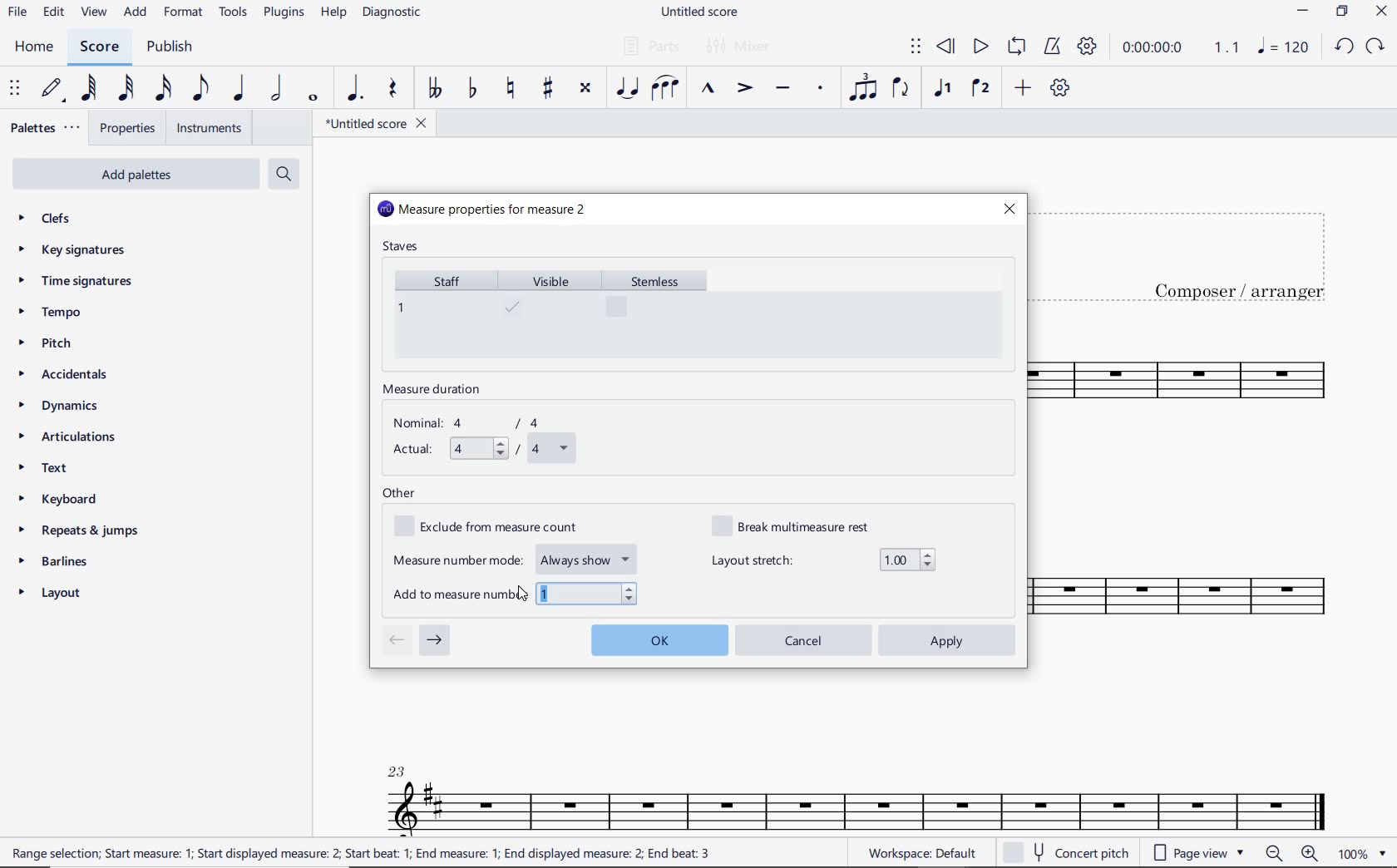 The height and width of the screenshot is (868, 1397). What do you see at coordinates (475, 423) in the screenshot?
I see `nominal` at bounding box center [475, 423].